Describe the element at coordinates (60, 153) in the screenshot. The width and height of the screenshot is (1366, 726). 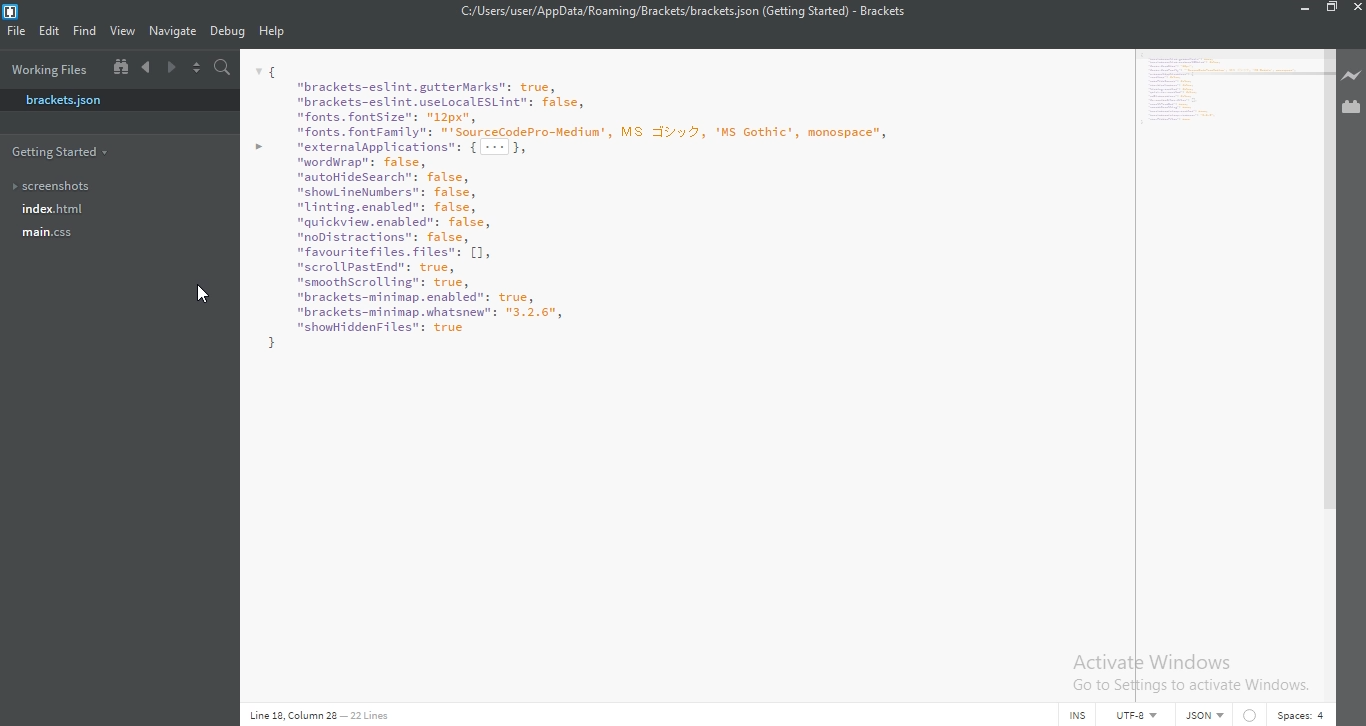
I see `getting started` at that location.